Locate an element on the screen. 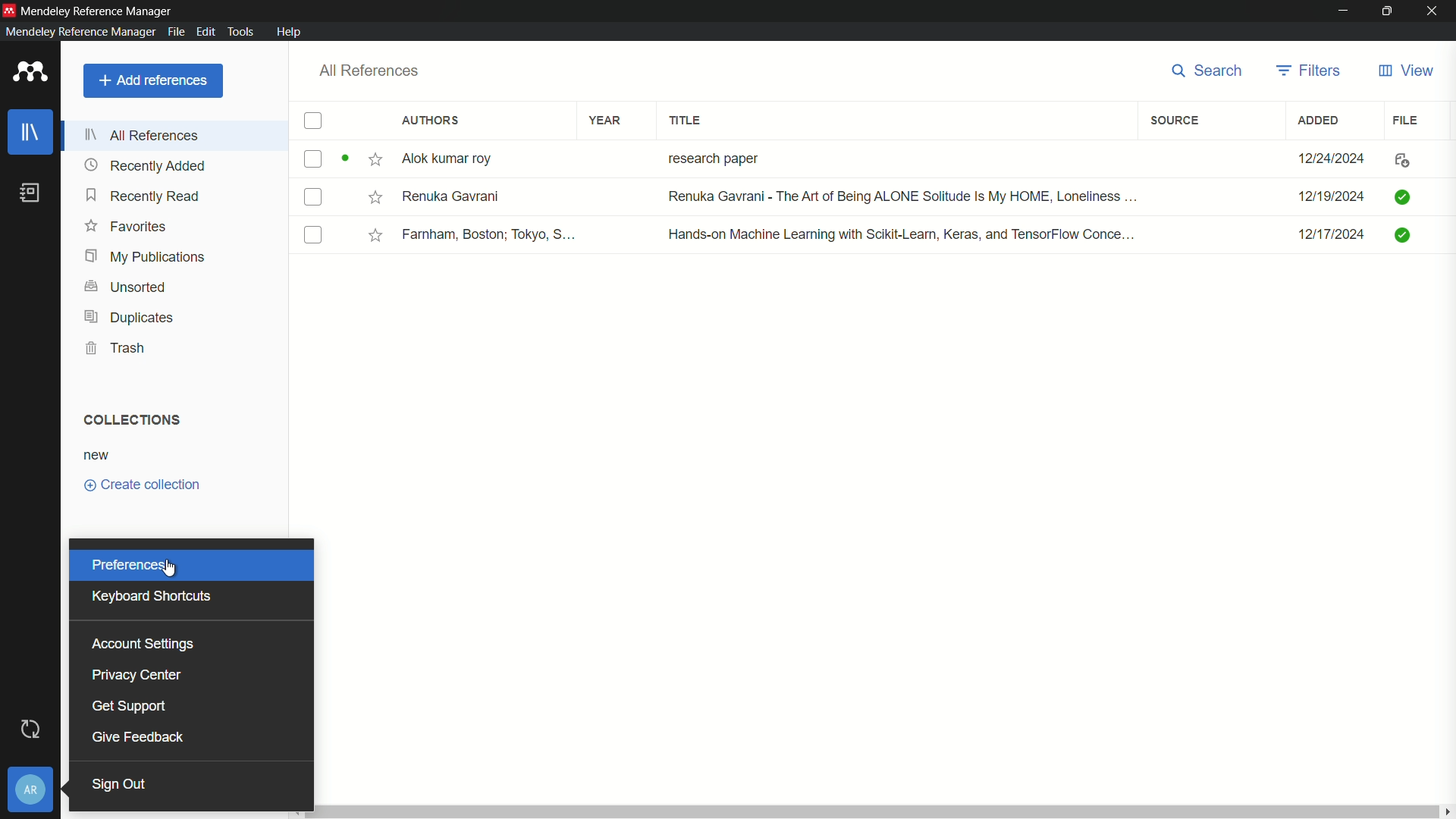  check is located at coordinates (311, 197).